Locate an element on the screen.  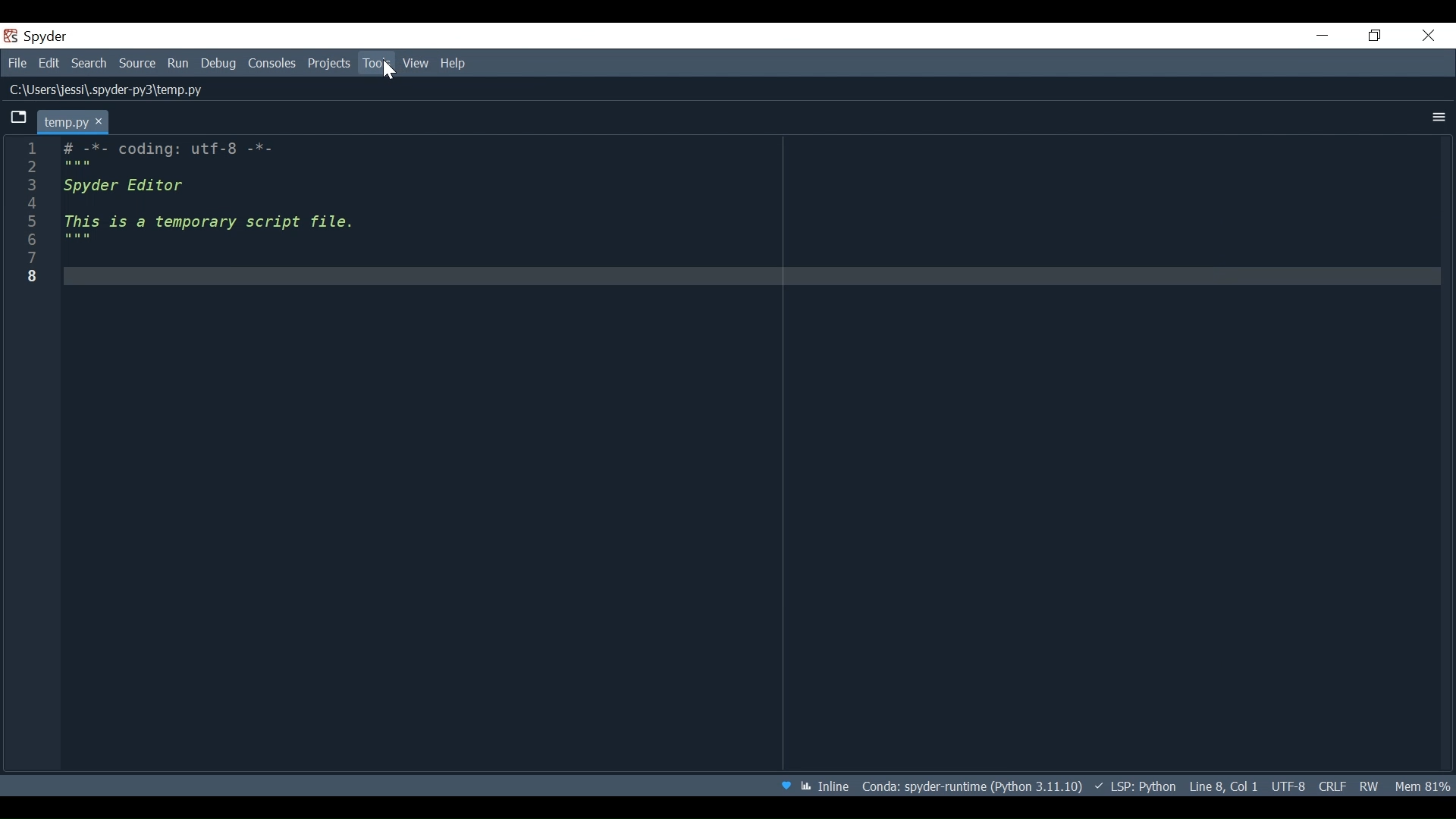
File is located at coordinates (17, 64).